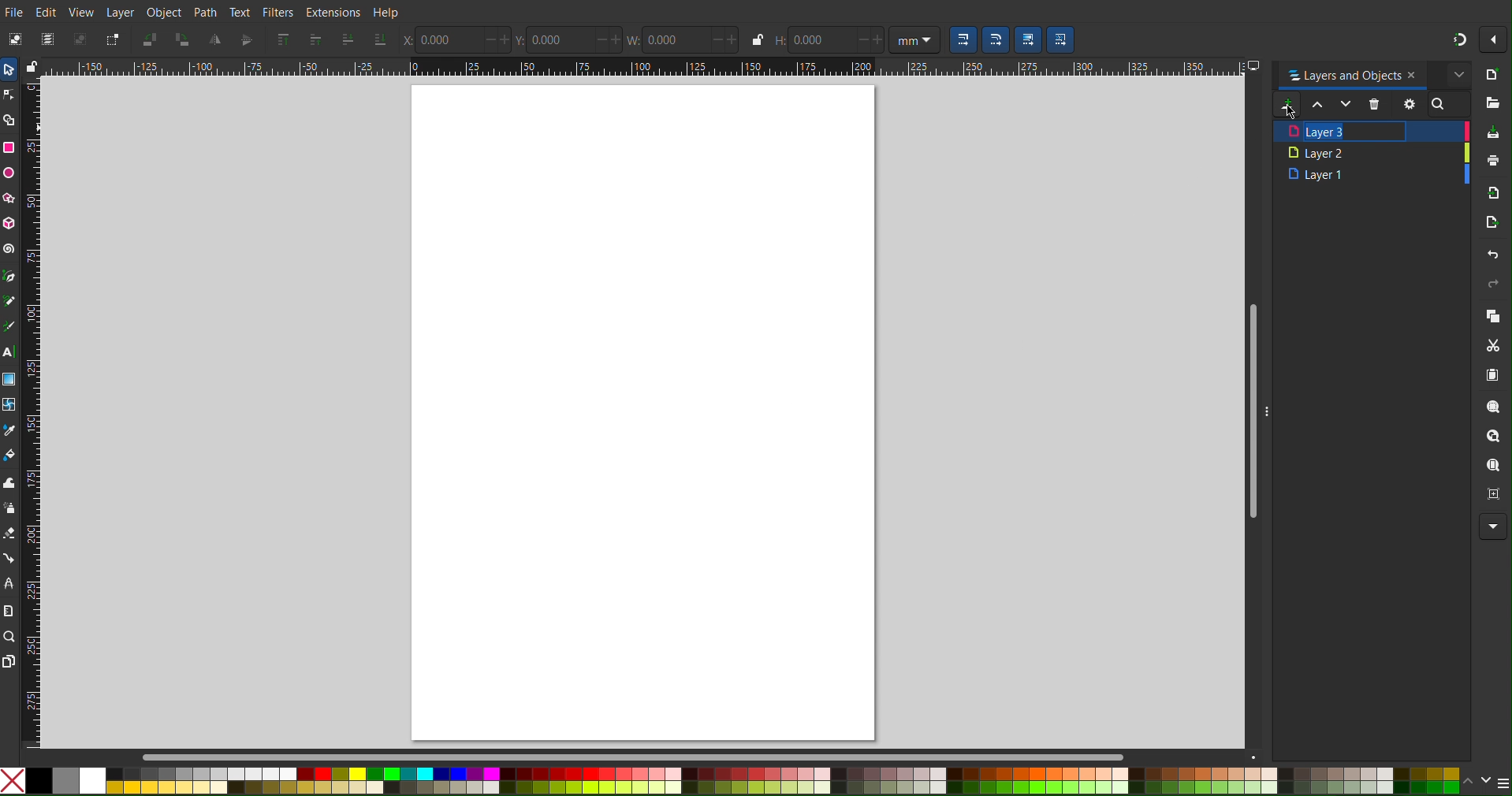  I want to click on Ellipse, so click(13, 174).